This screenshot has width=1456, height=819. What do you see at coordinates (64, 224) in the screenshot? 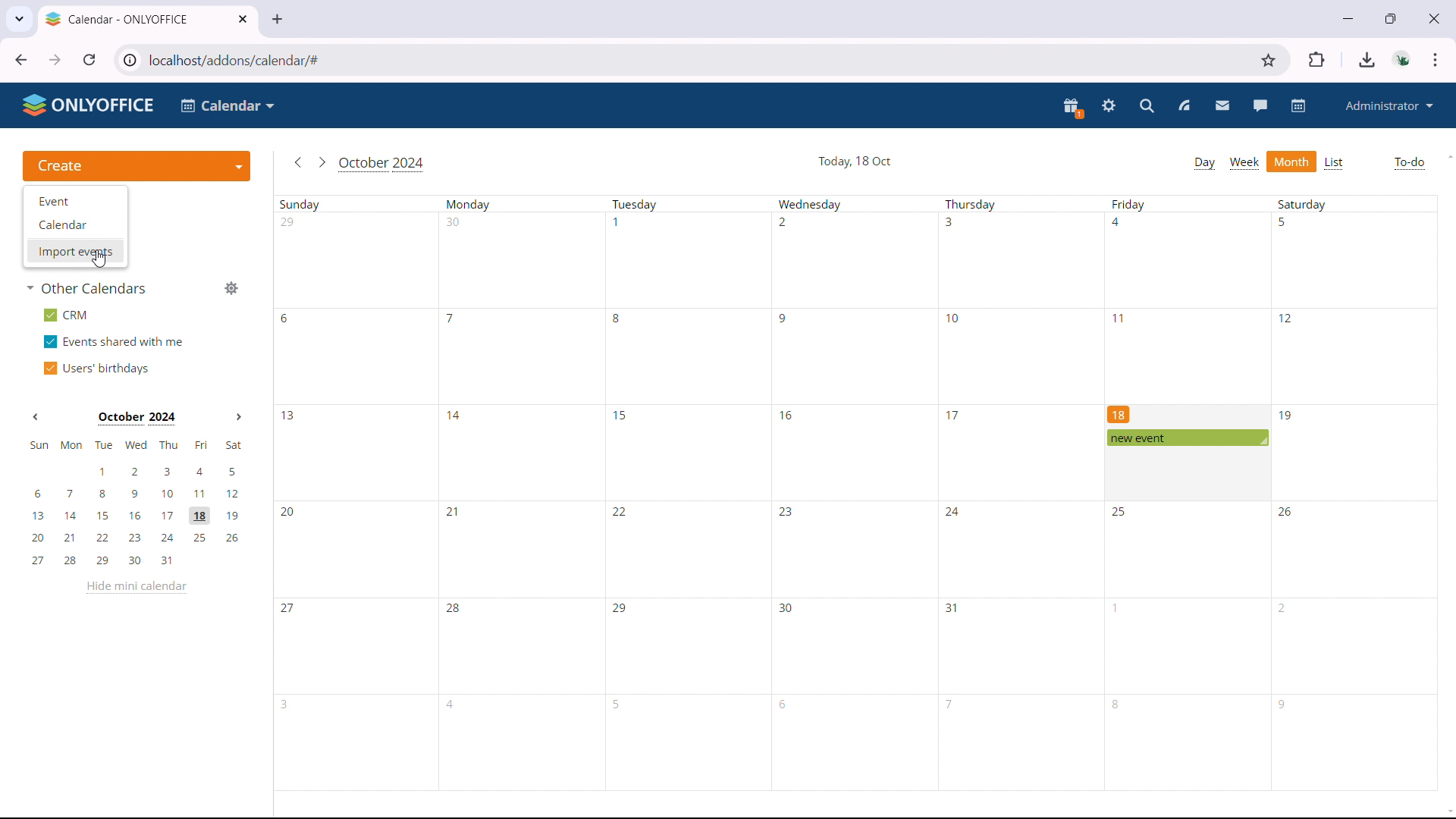
I see `Calendar` at bounding box center [64, 224].